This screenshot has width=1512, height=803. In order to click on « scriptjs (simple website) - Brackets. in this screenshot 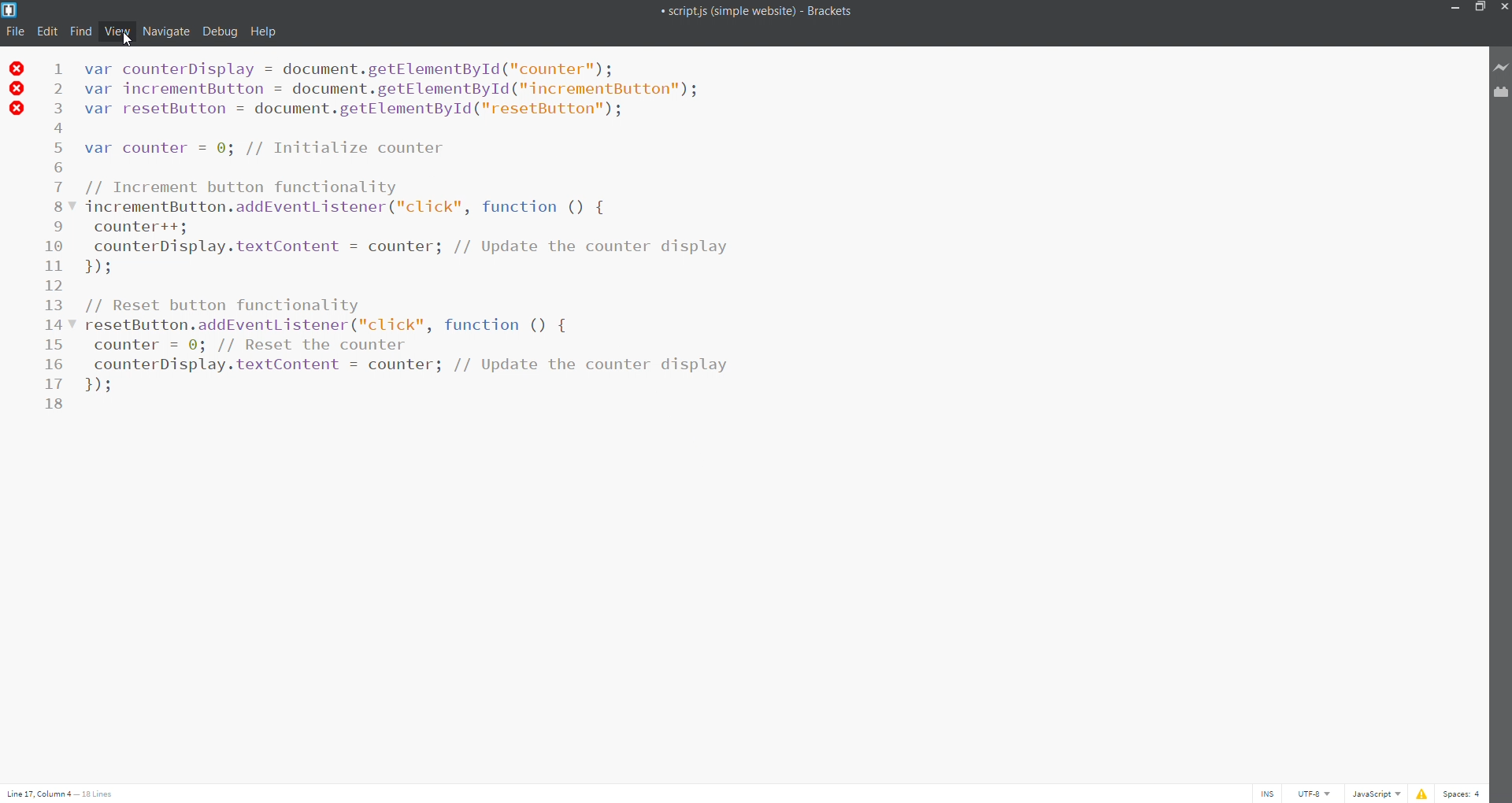, I will do `click(756, 12)`.